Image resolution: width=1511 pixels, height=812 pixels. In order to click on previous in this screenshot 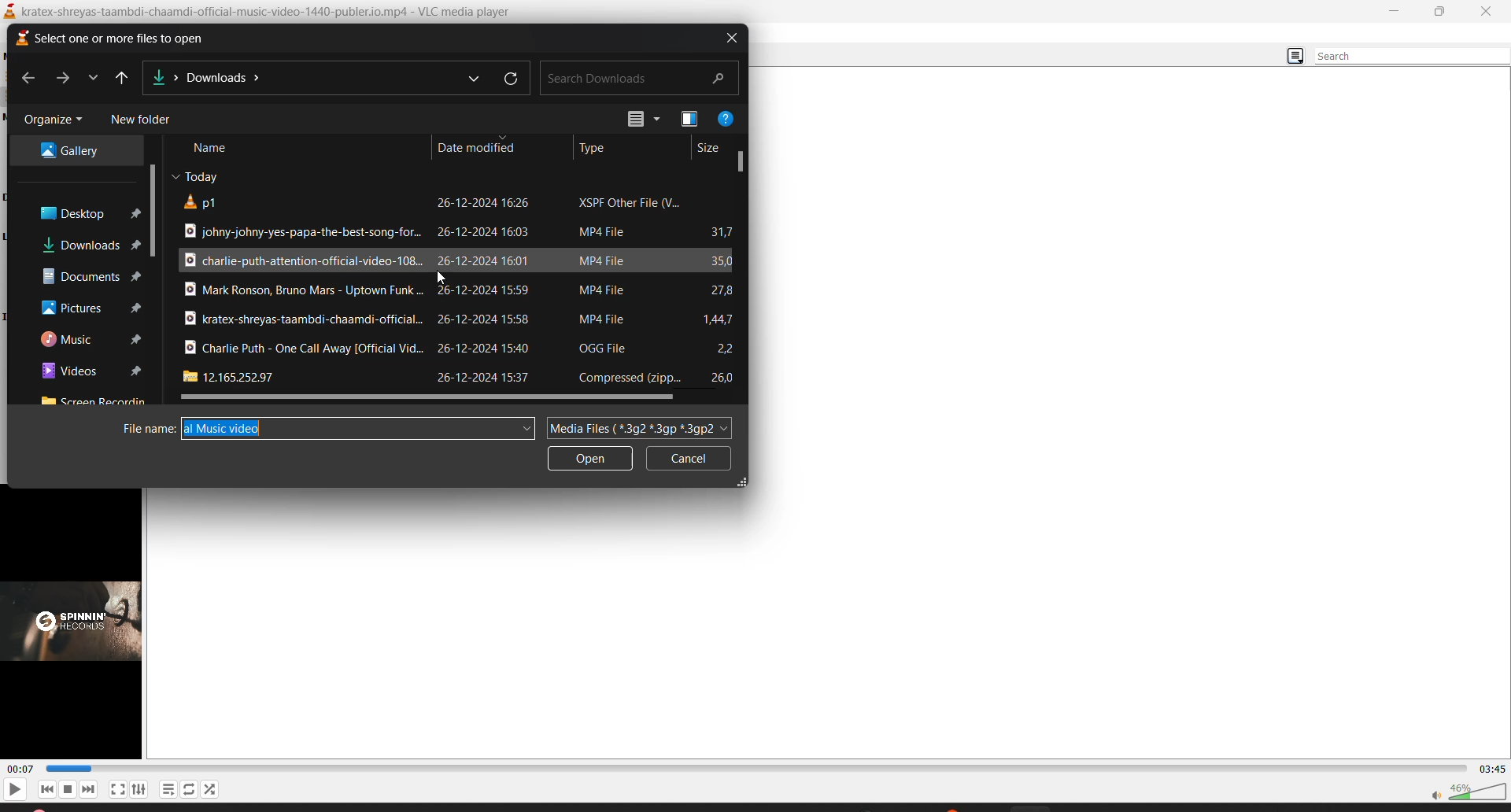, I will do `click(47, 789)`.